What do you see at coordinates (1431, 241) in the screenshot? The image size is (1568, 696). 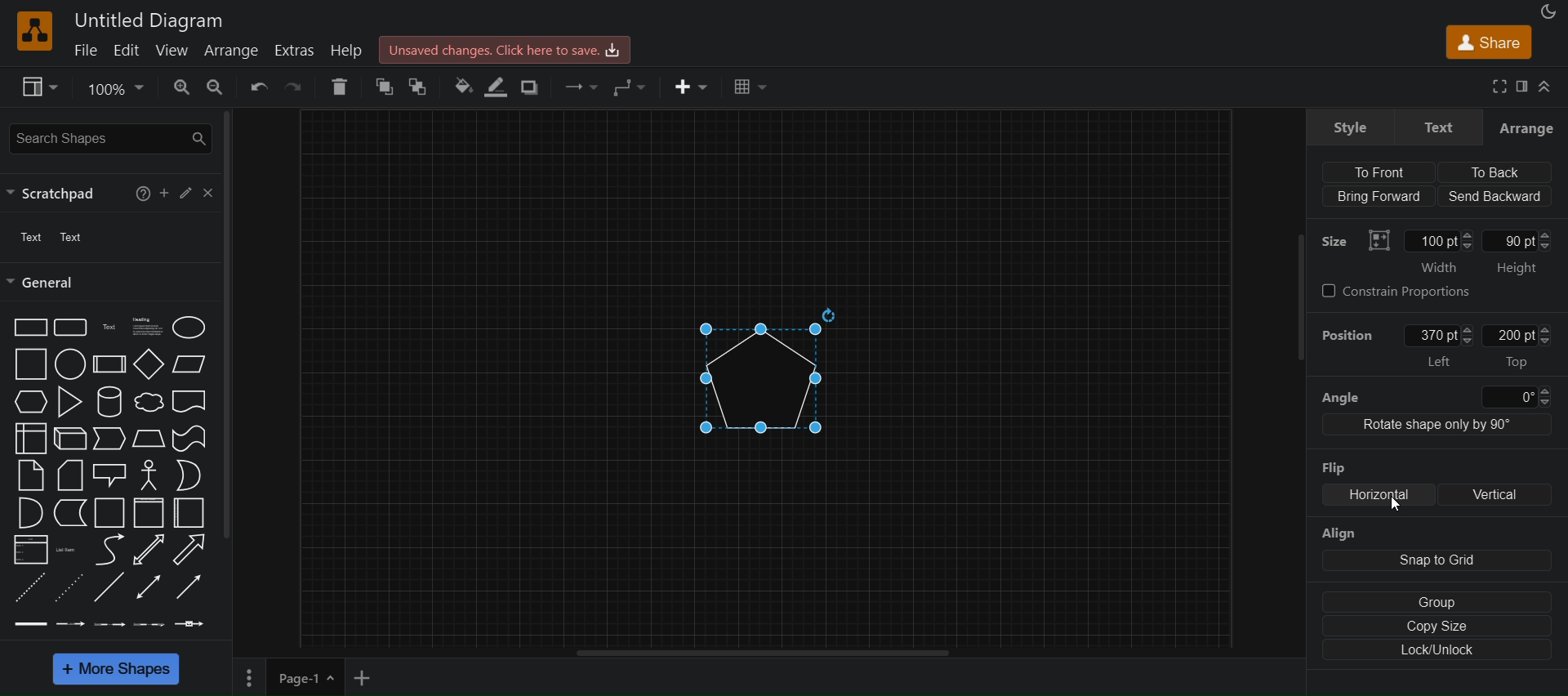 I see `Manually input width` at bounding box center [1431, 241].